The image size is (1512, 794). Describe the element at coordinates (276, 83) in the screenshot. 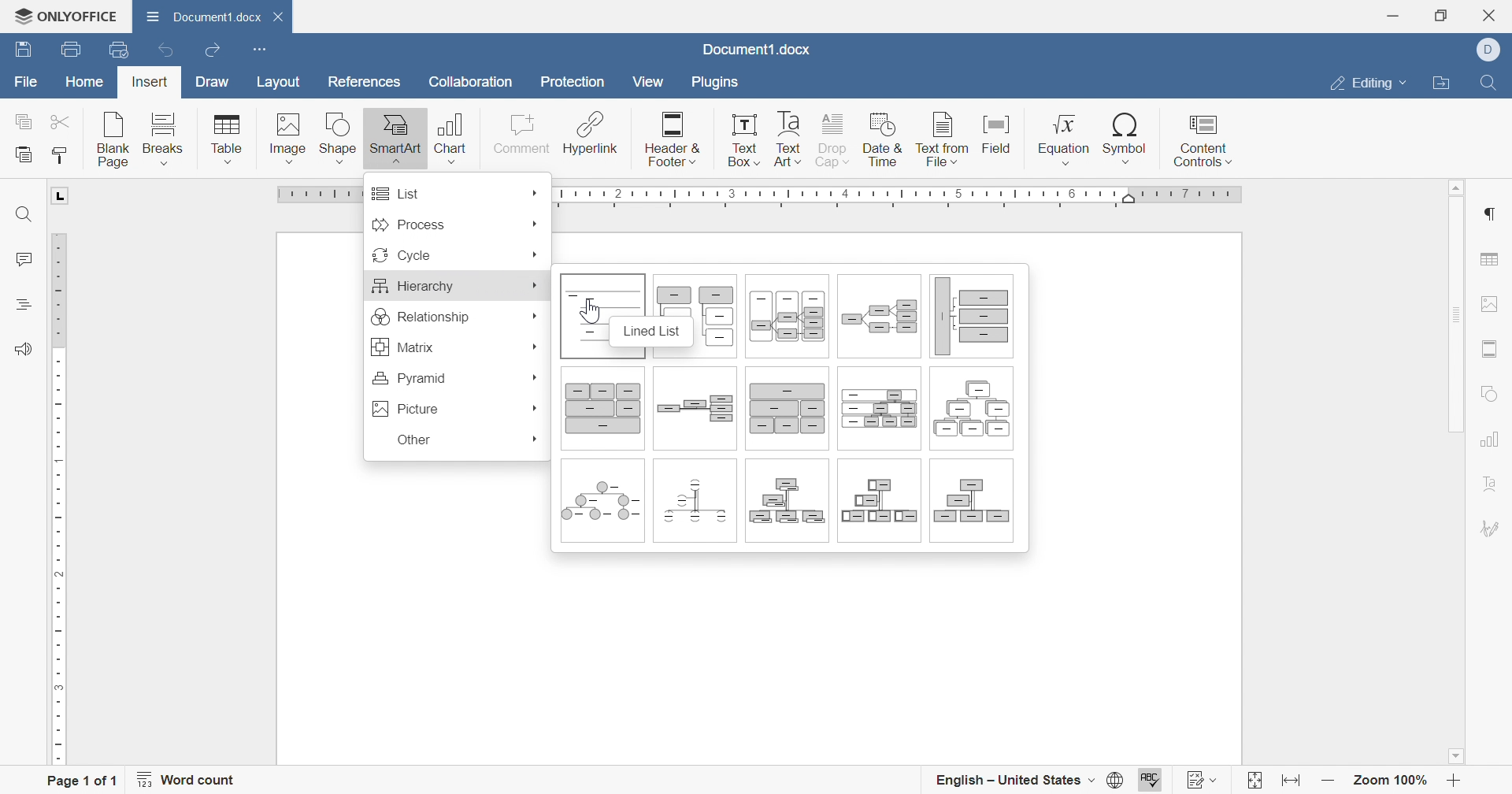

I see `Layout` at that location.